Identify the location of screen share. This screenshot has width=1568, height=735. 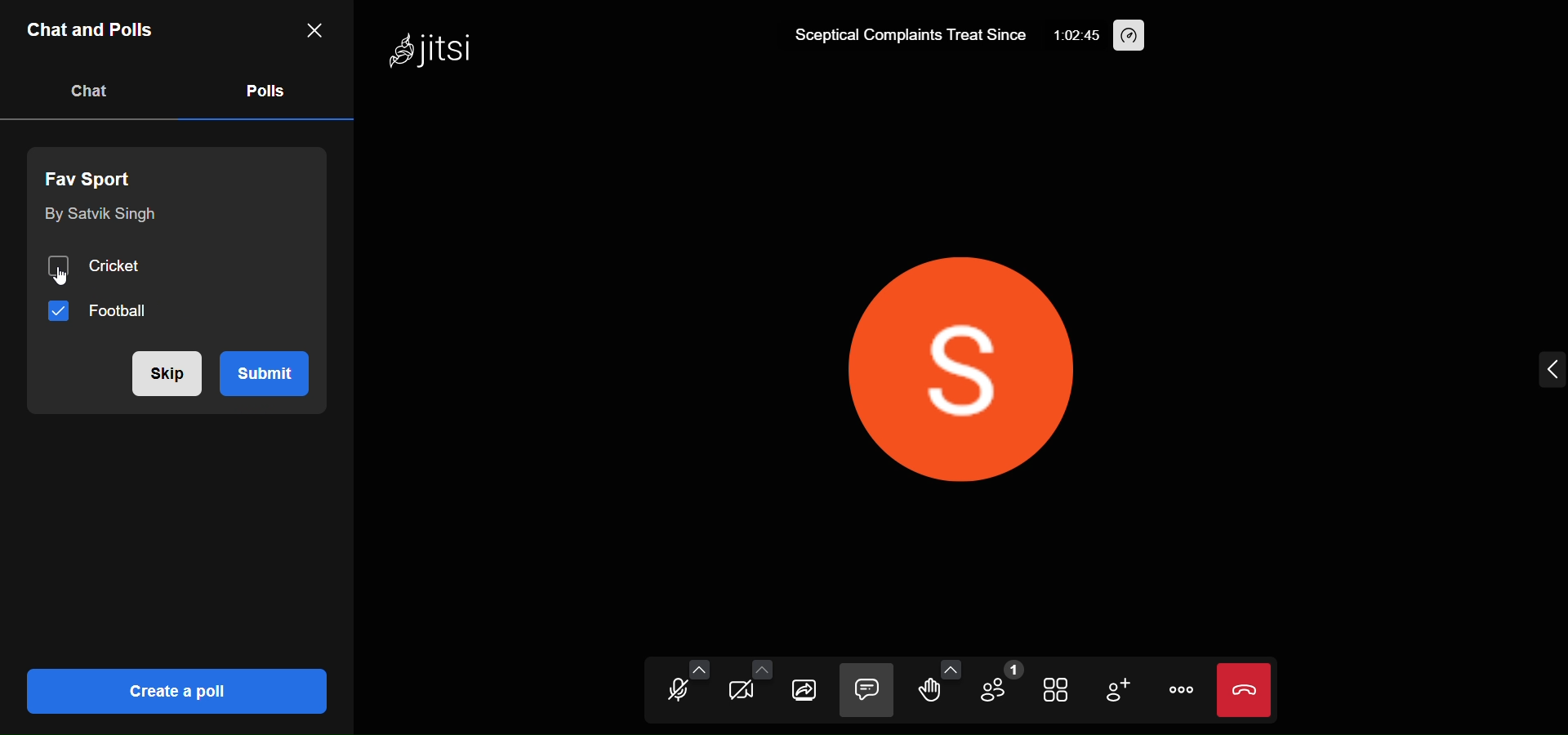
(804, 692).